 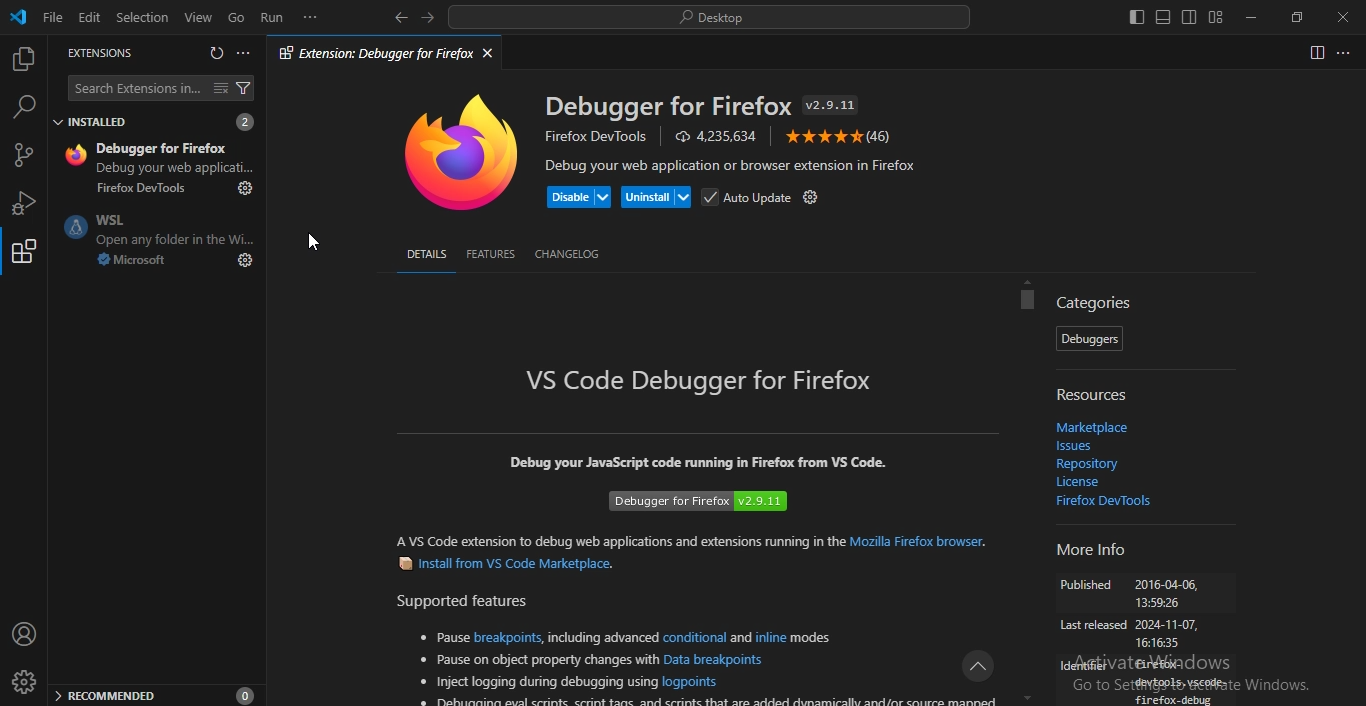 I want to click on Mozilla Firefox browser., so click(x=917, y=539).